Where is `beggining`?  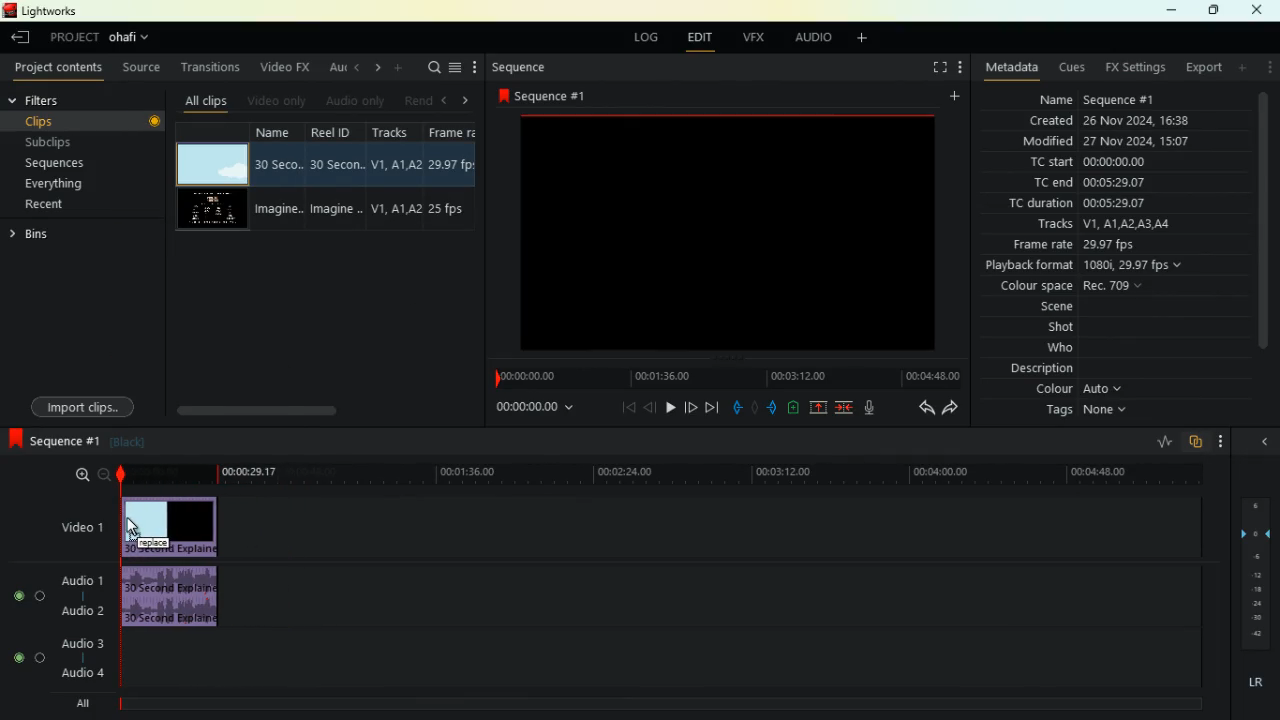
beggining is located at coordinates (619, 408).